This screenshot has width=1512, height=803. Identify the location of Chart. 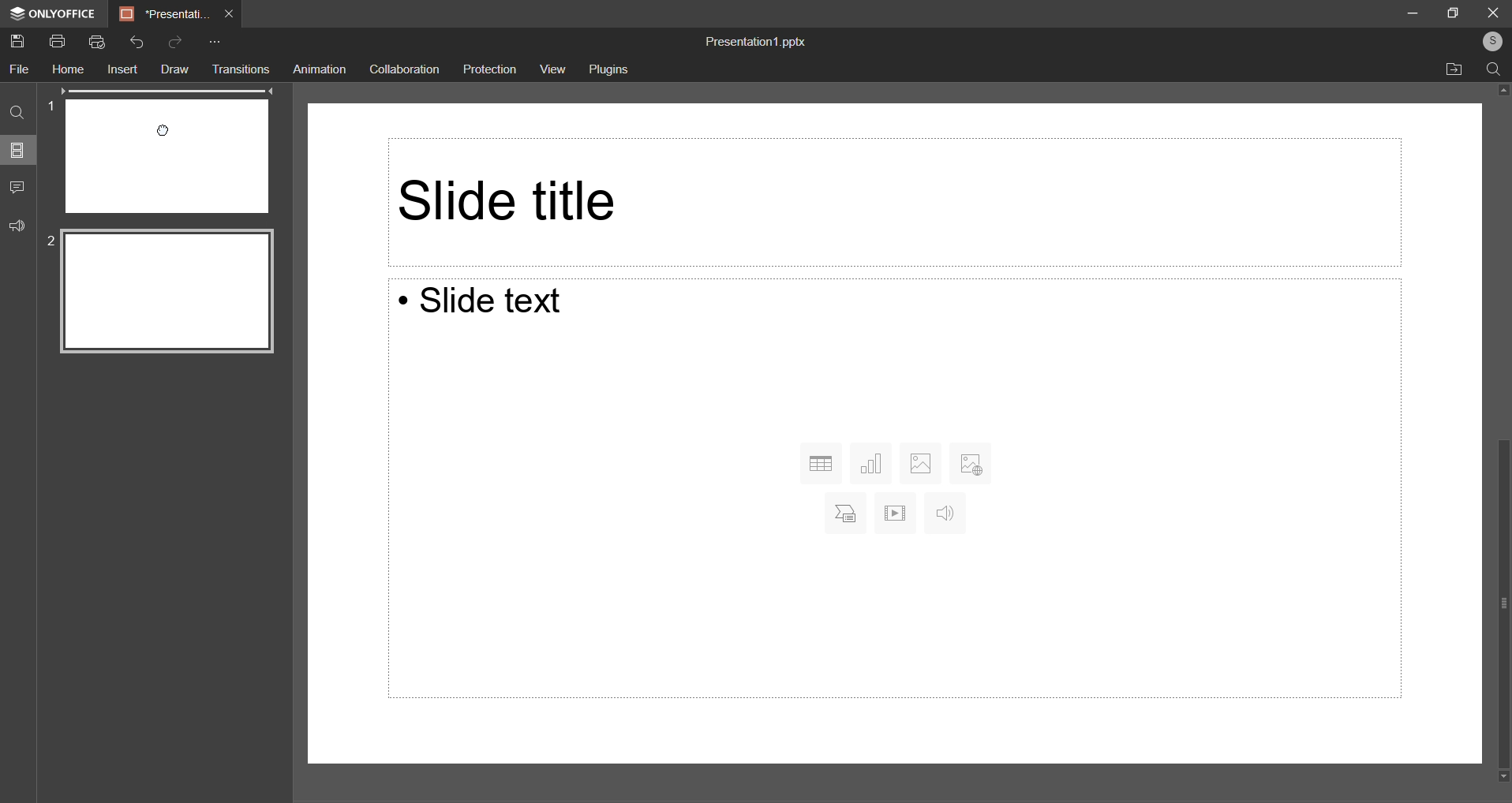
(873, 462).